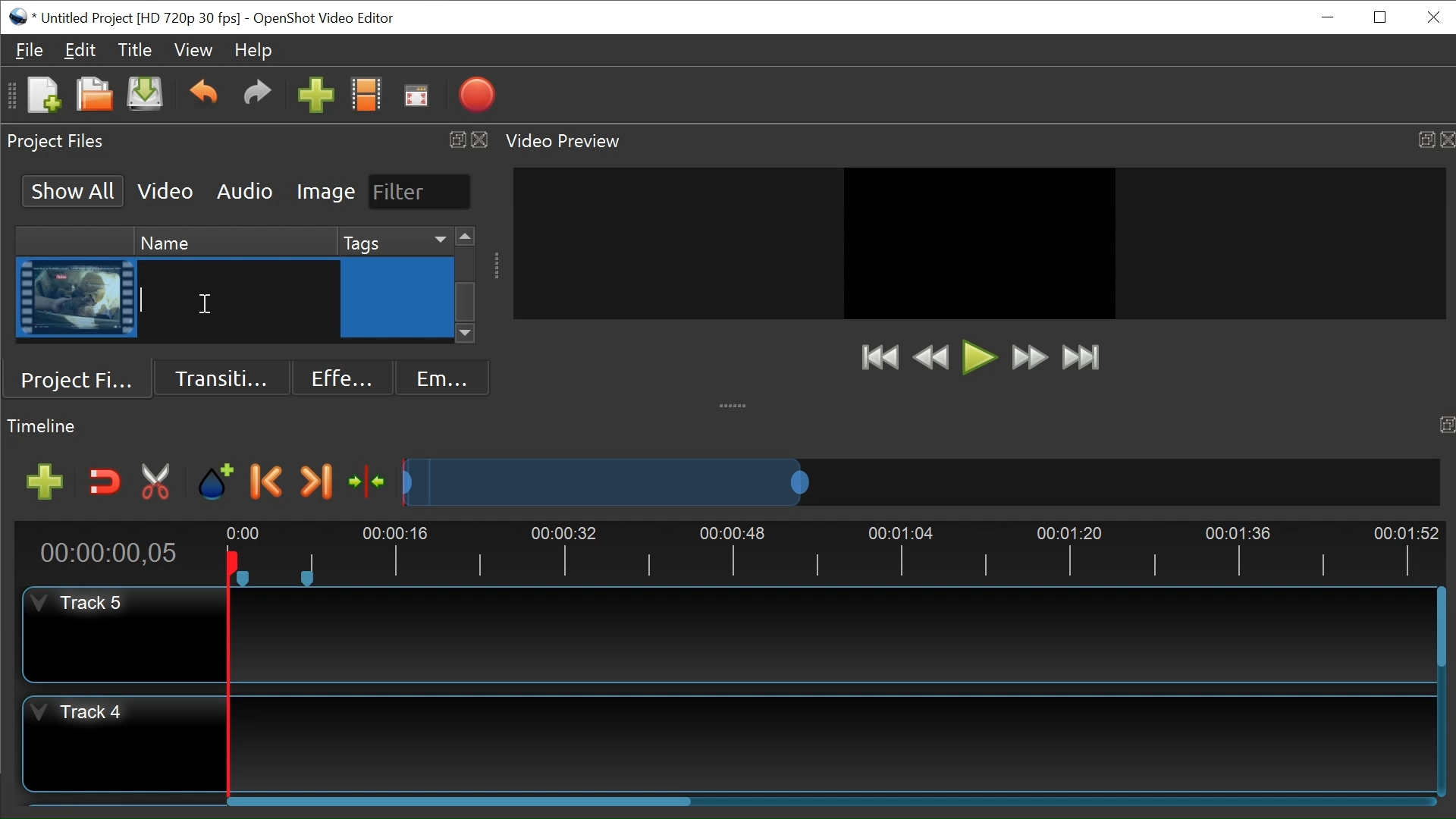 The width and height of the screenshot is (1456, 819). I want to click on Play, so click(979, 357).